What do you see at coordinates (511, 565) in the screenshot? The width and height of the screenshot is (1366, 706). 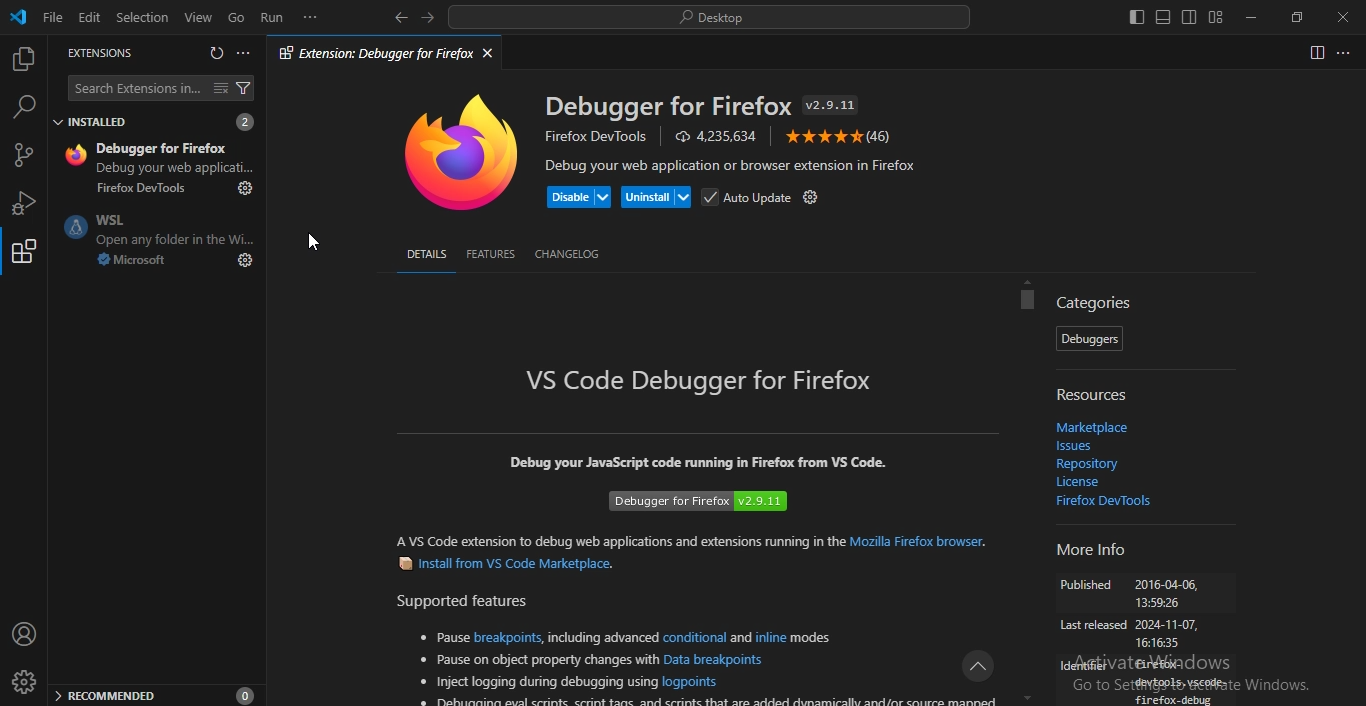 I see `Install from VS Code Marketplace.` at bounding box center [511, 565].